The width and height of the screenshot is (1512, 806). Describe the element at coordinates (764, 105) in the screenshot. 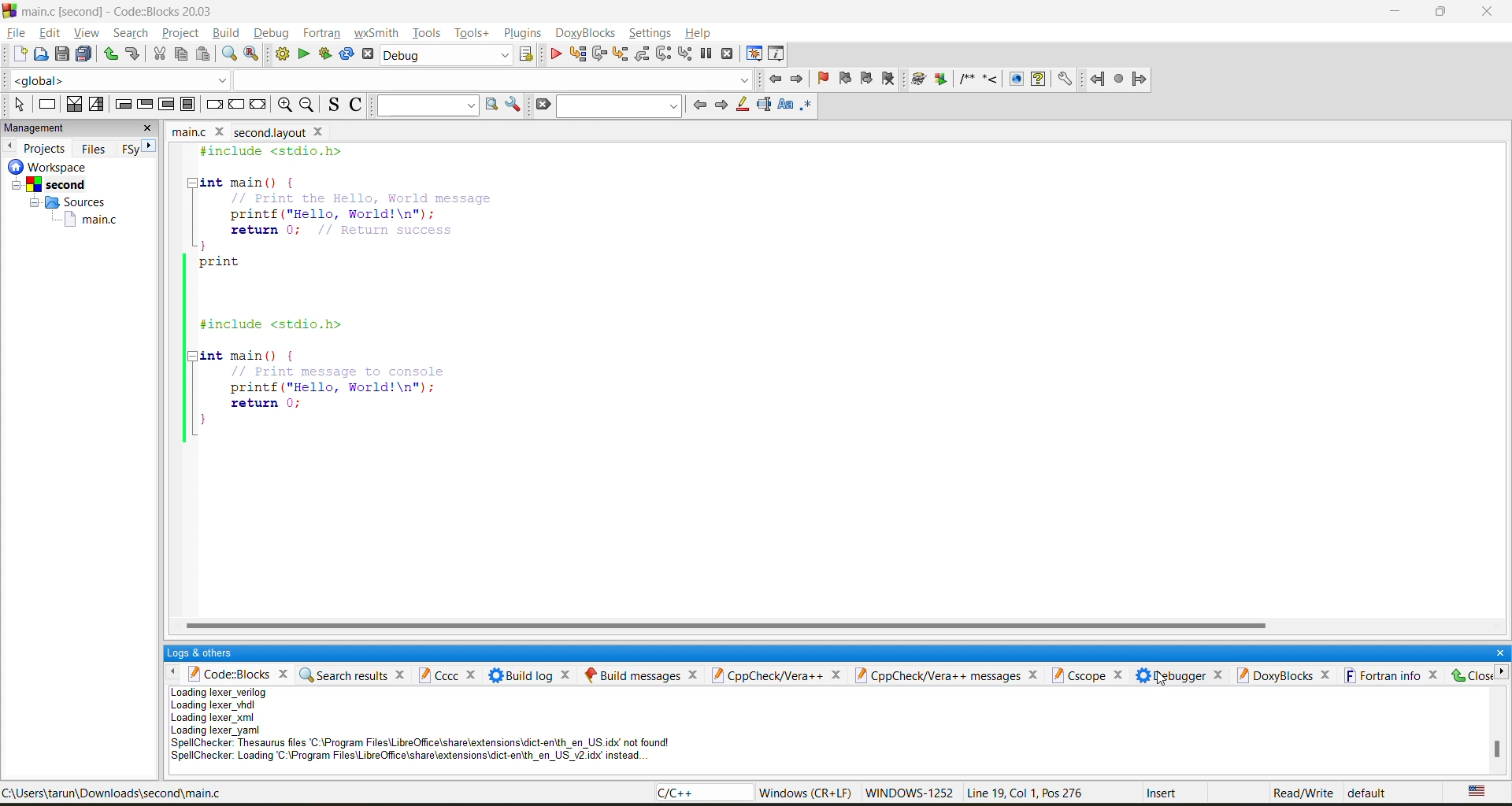

I see `selected text` at that location.